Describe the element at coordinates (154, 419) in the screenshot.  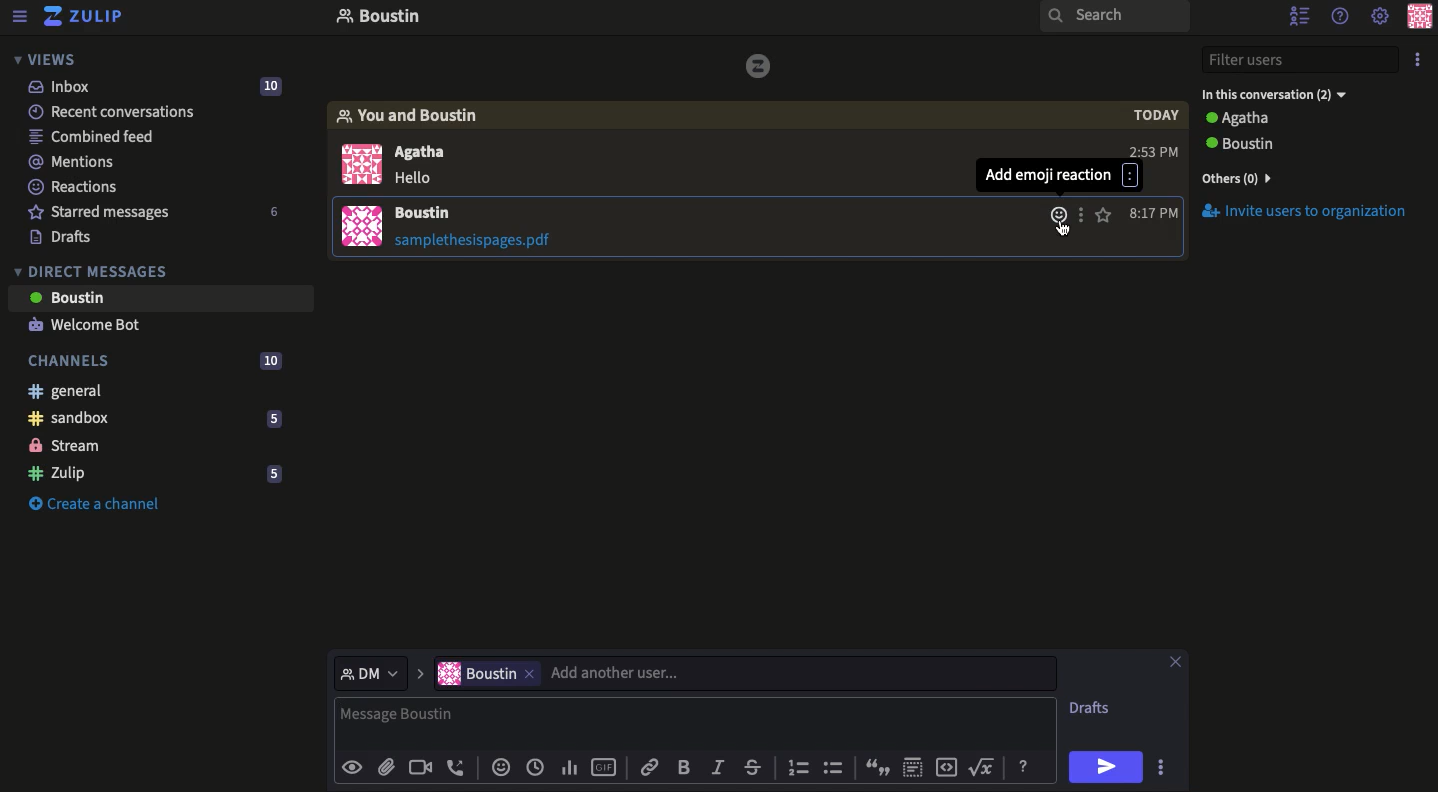
I see `Sandbox` at that location.